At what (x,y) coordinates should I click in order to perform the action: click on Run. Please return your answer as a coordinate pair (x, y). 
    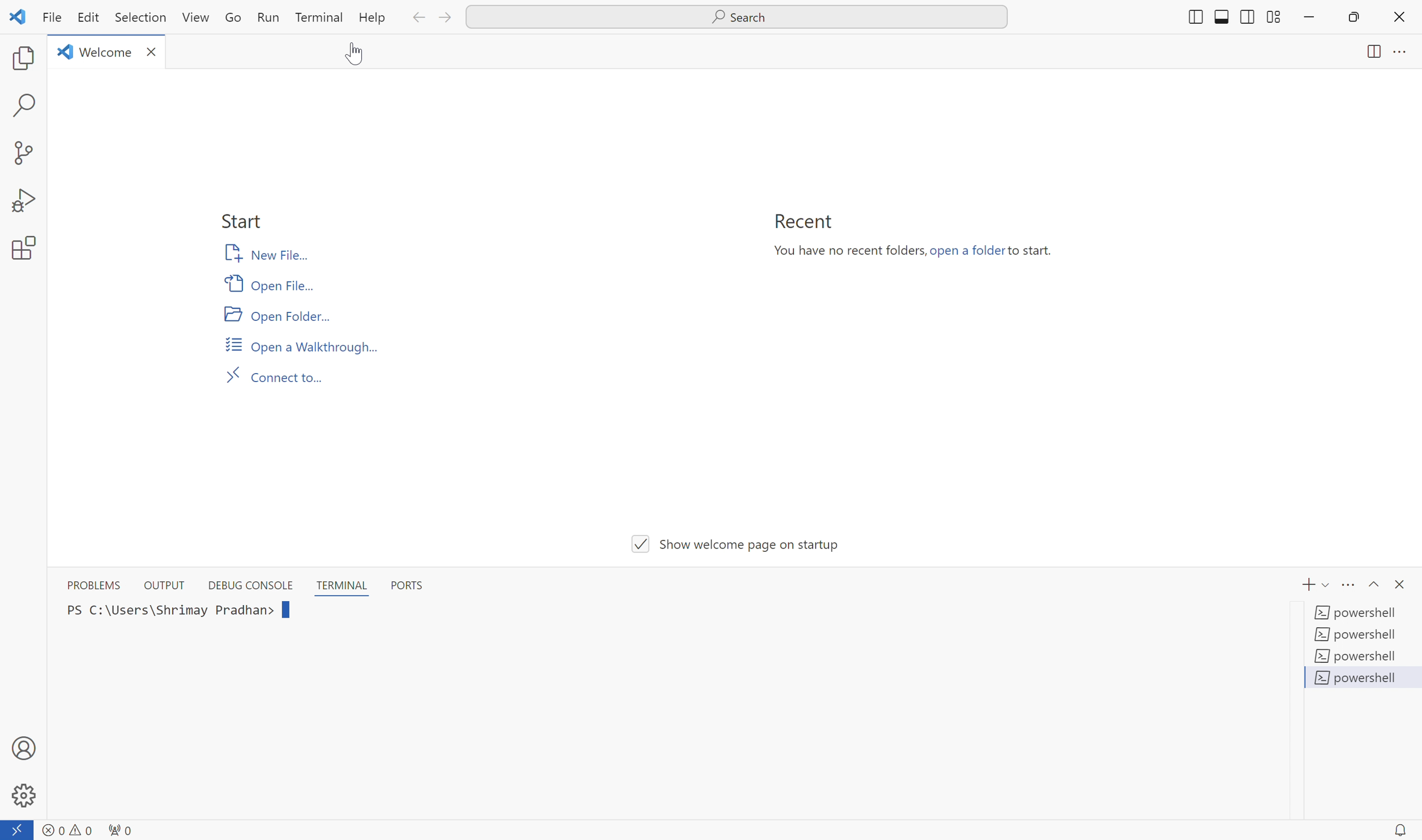
    Looking at the image, I should click on (267, 16).